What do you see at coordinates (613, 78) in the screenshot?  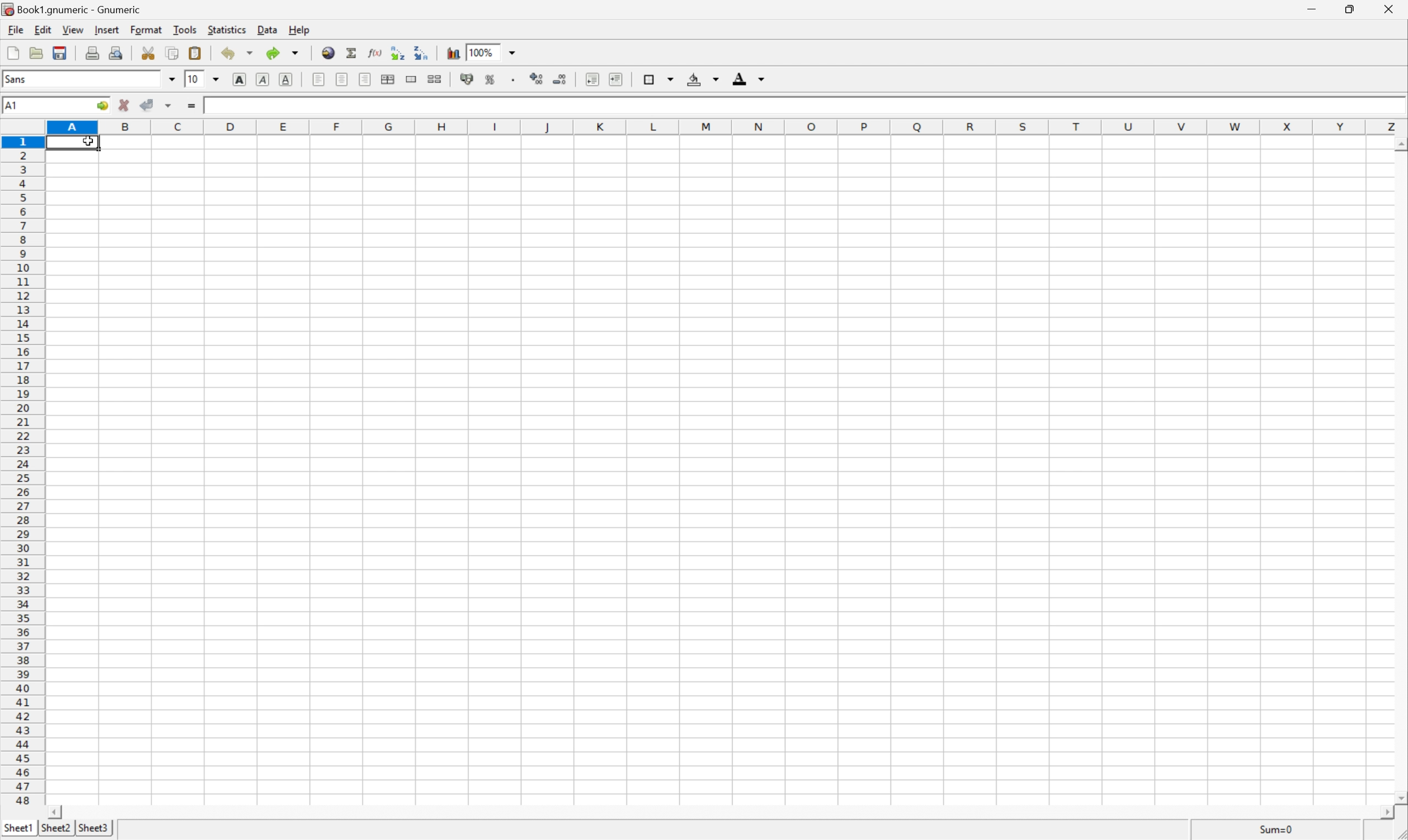 I see `increase indent` at bounding box center [613, 78].